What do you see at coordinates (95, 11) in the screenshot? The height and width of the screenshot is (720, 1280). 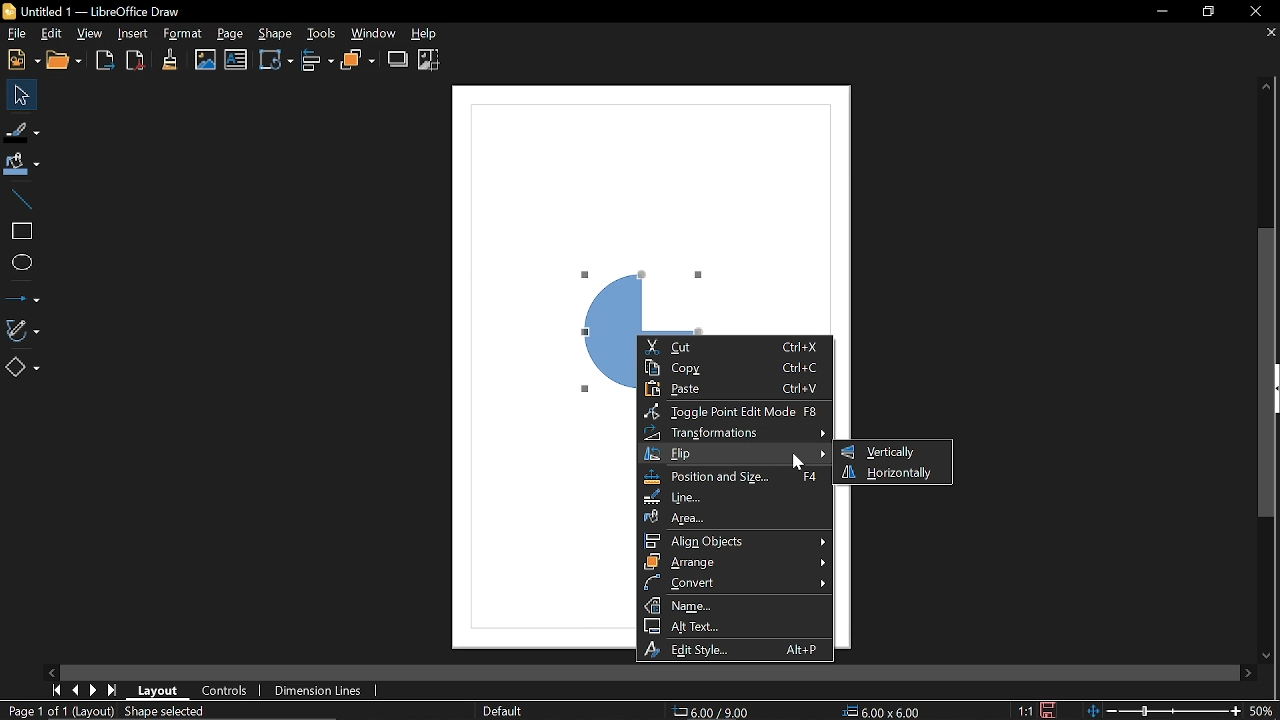 I see `Current document` at bounding box center [95, 11].